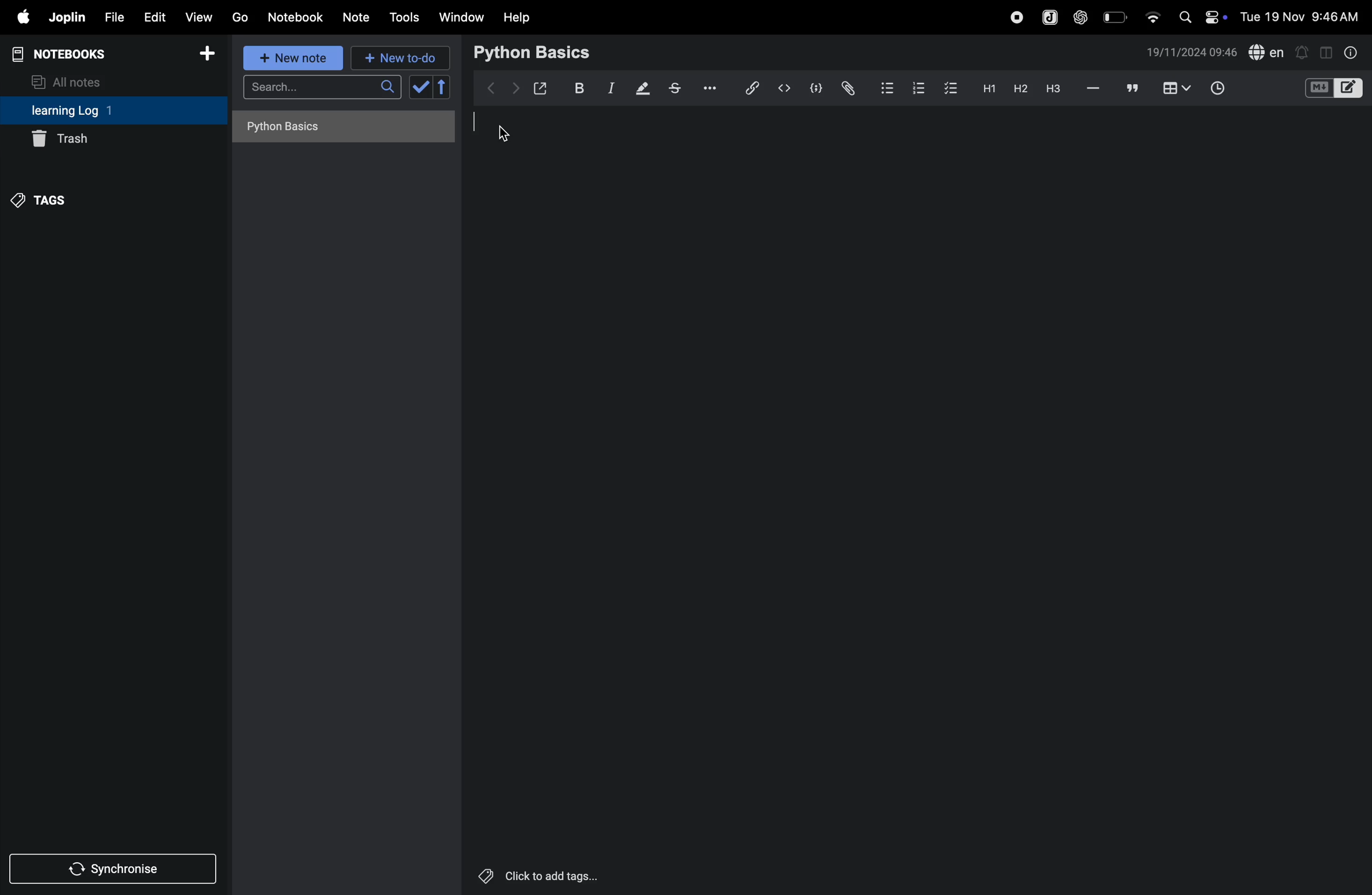  I want to click on h1, so click(986, 88).